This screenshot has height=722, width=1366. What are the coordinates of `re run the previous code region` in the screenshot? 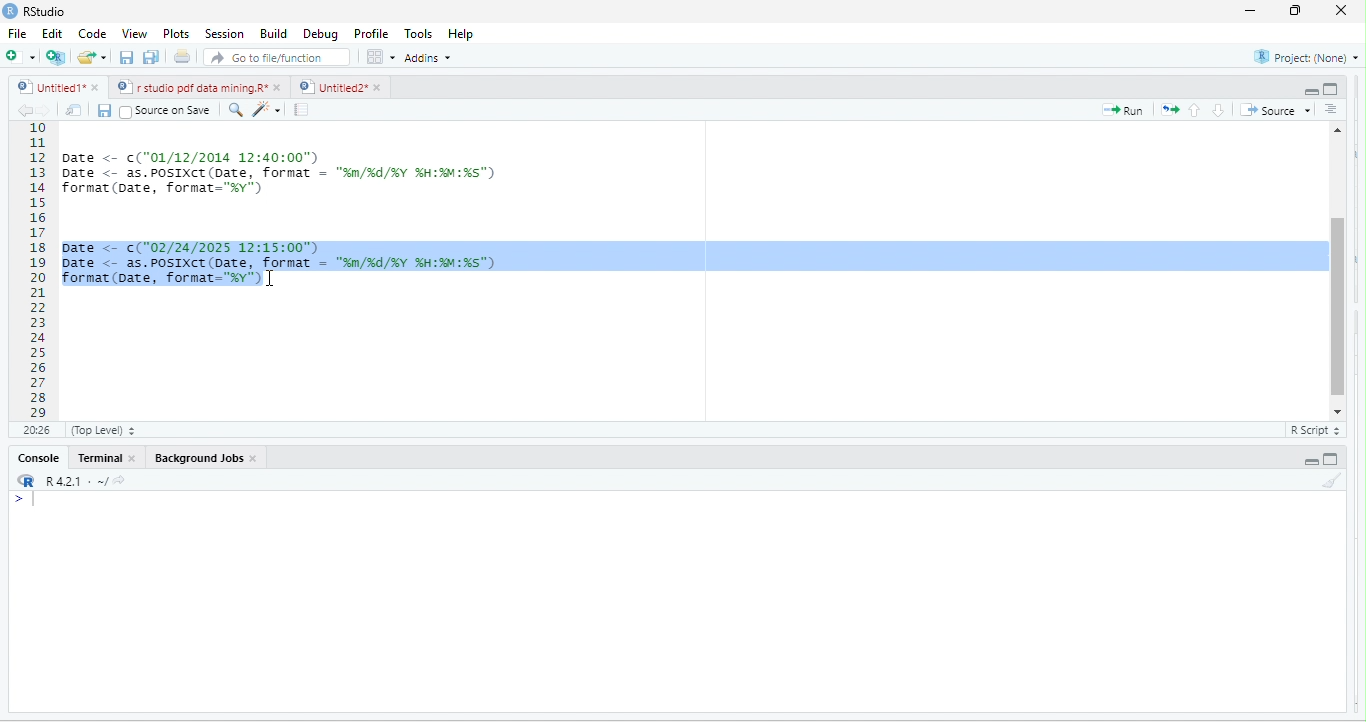 It's located at (1173, 108).